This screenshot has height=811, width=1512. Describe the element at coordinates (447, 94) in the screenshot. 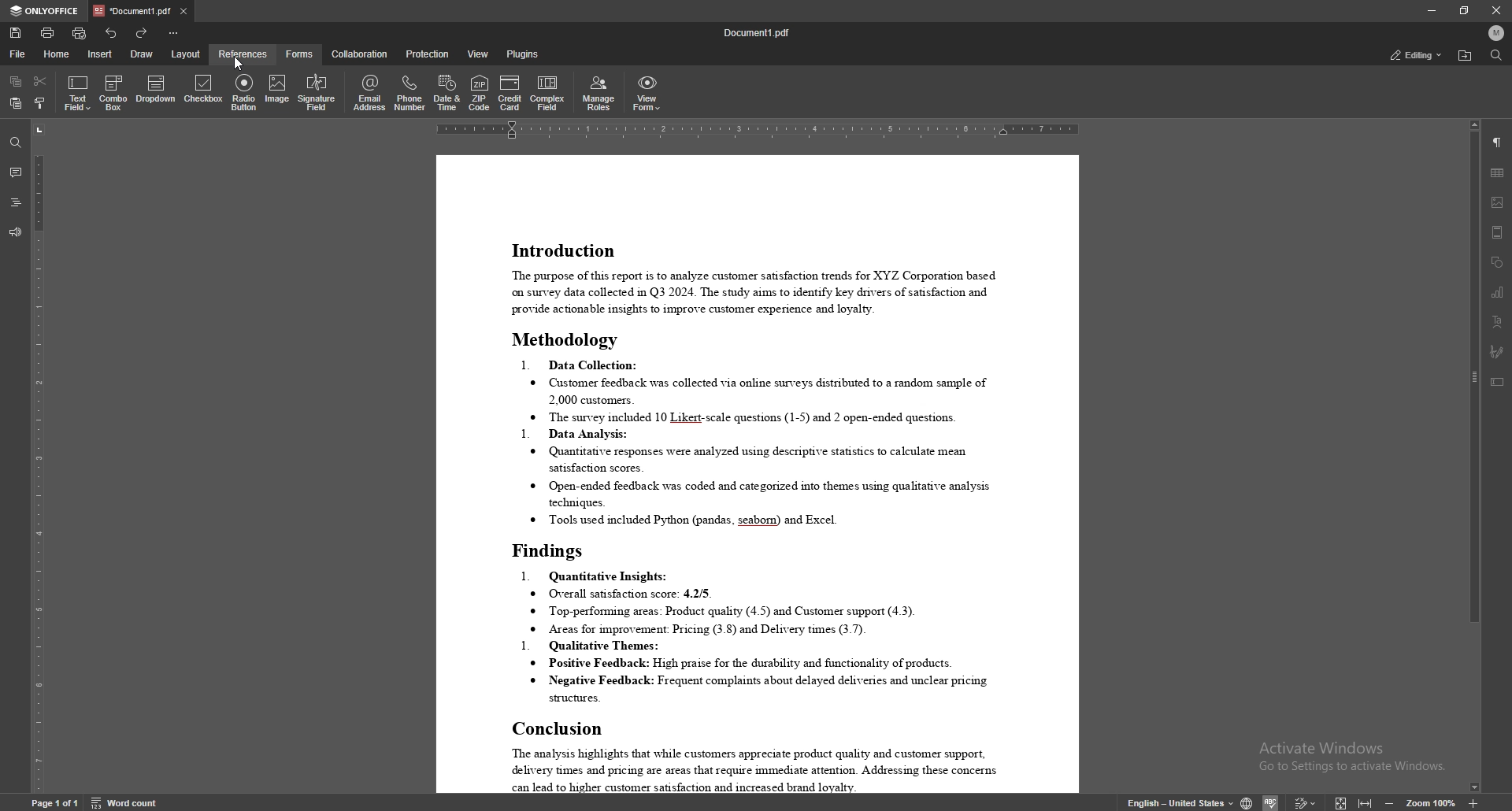

I see `date and time` at that location.